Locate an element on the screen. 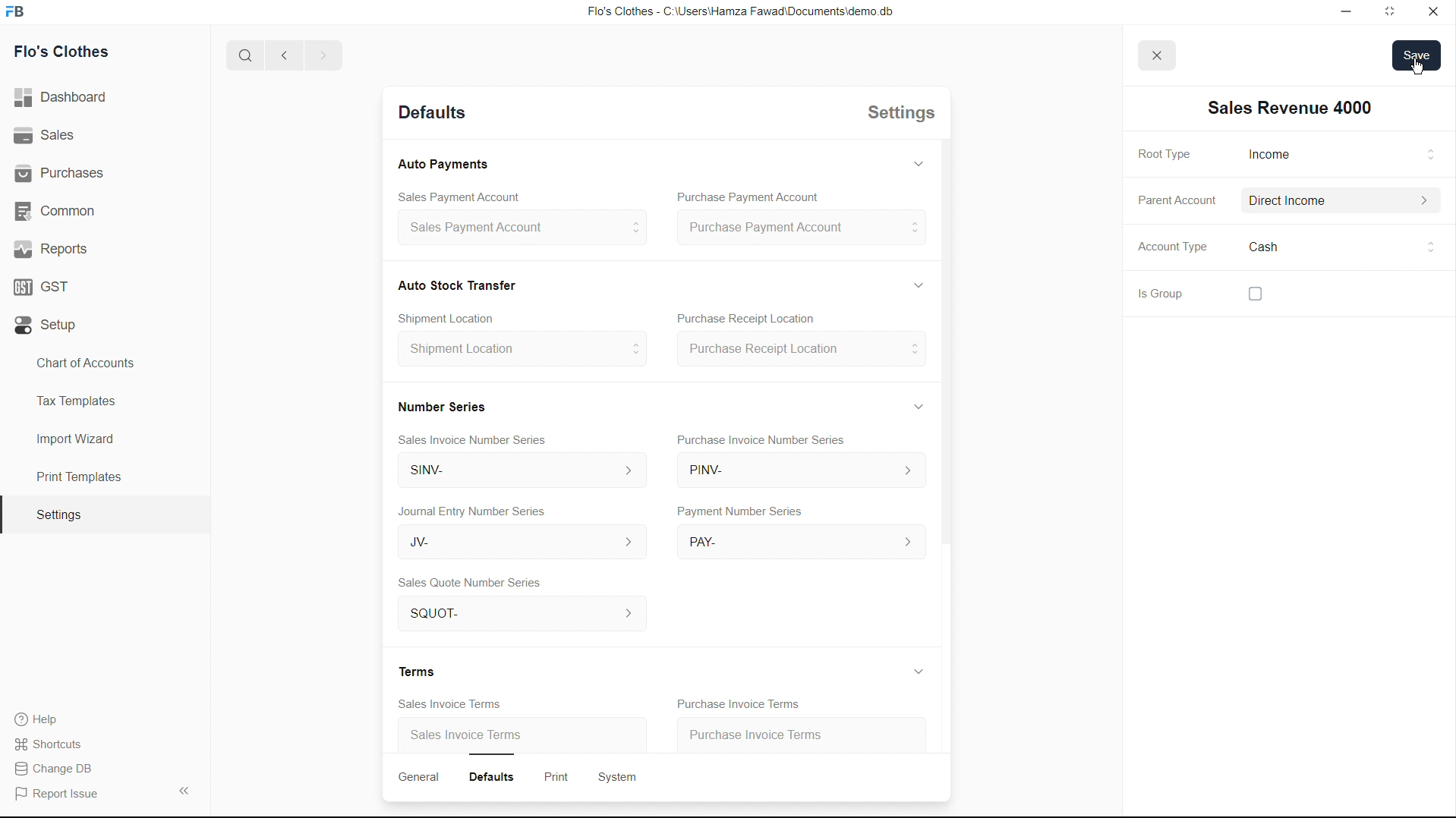  SQuOT- > is located at coordinates (517, 615).